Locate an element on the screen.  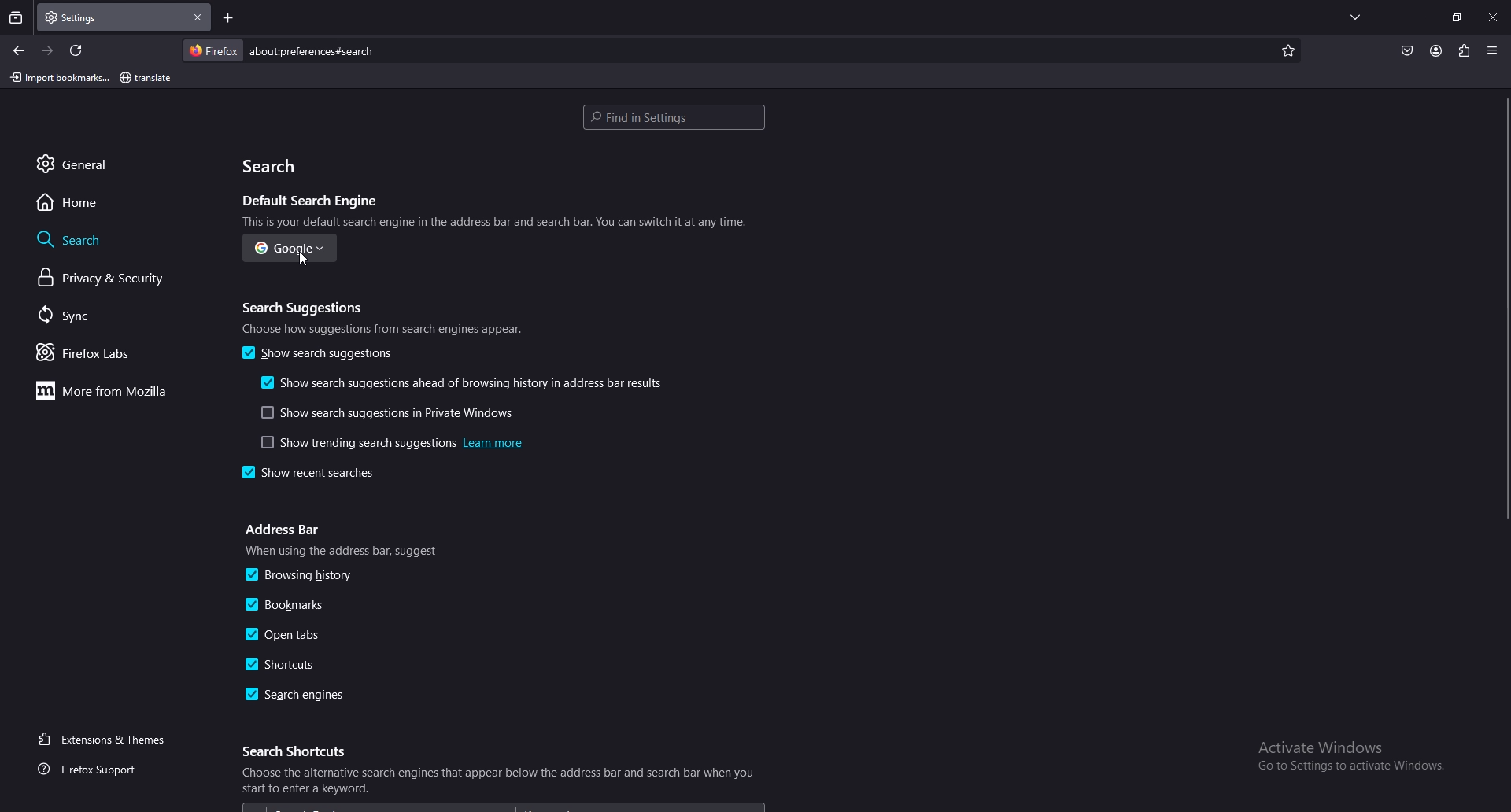
home is located at coordinates (120, 203).